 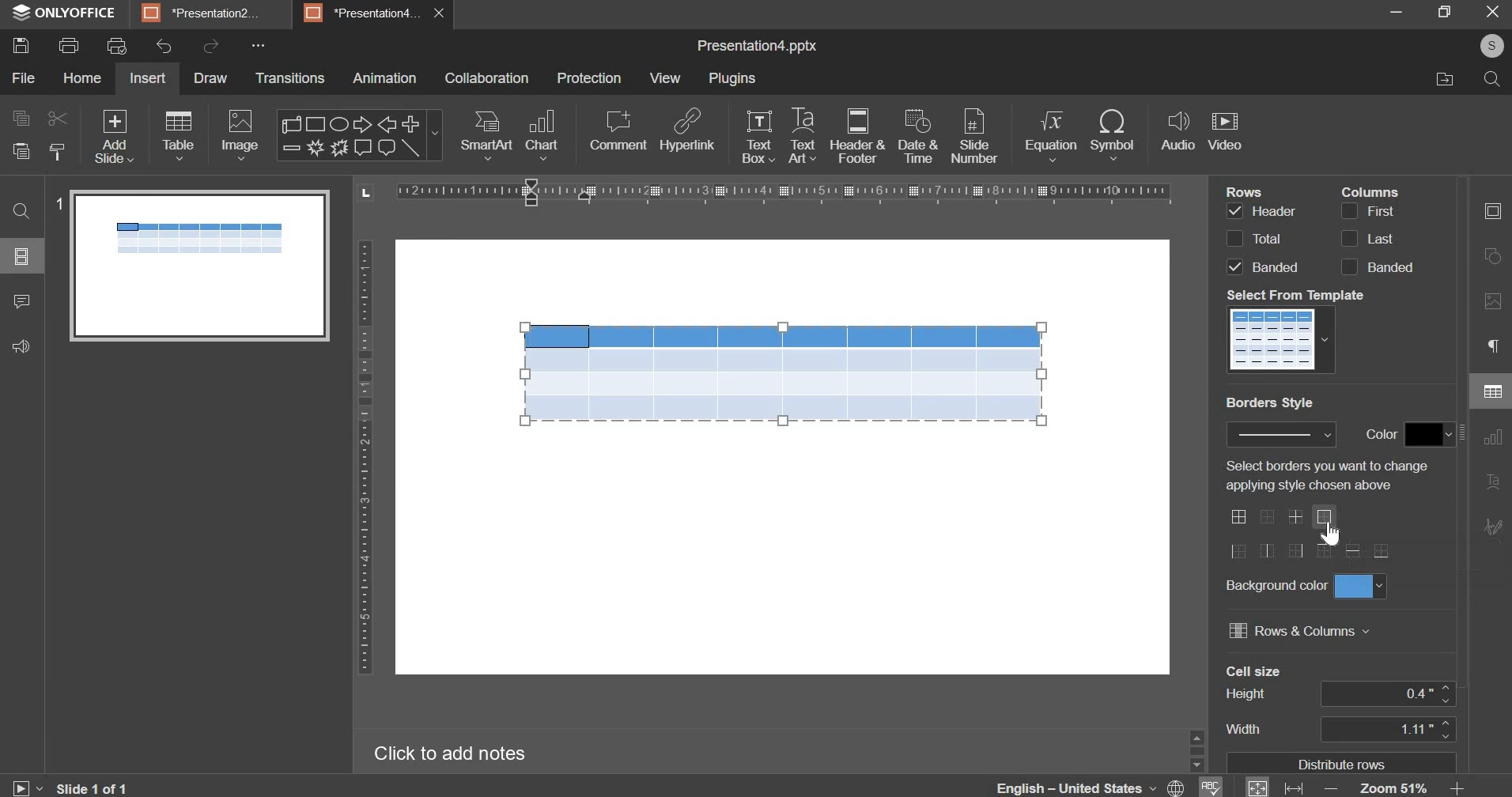 I want to click on set docment language, so click(x=1177, y=786).